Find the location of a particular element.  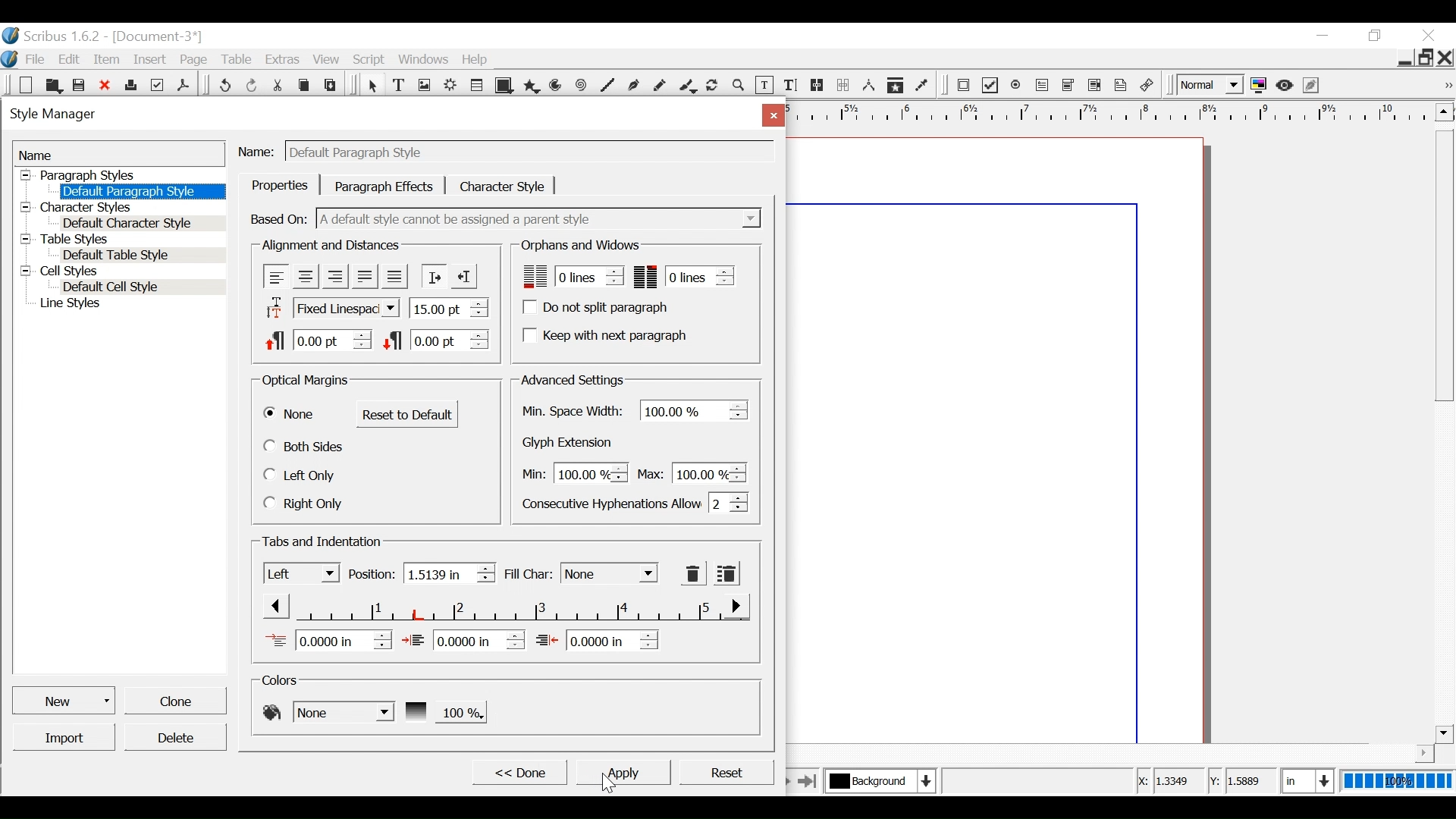

Table is located at coordinates (479, 86).